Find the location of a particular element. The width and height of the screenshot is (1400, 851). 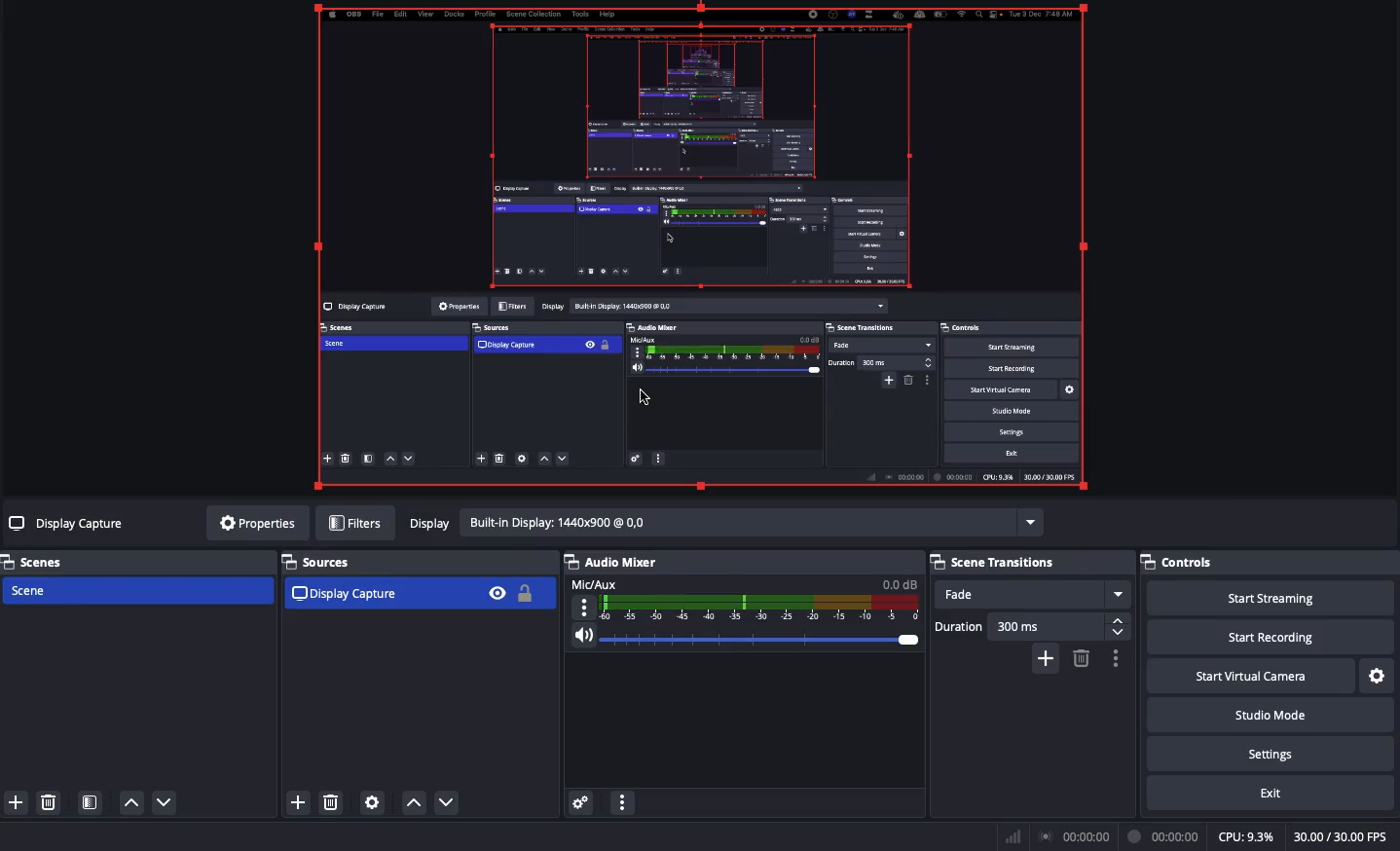

Settings is located at coordinates (1269, 754).